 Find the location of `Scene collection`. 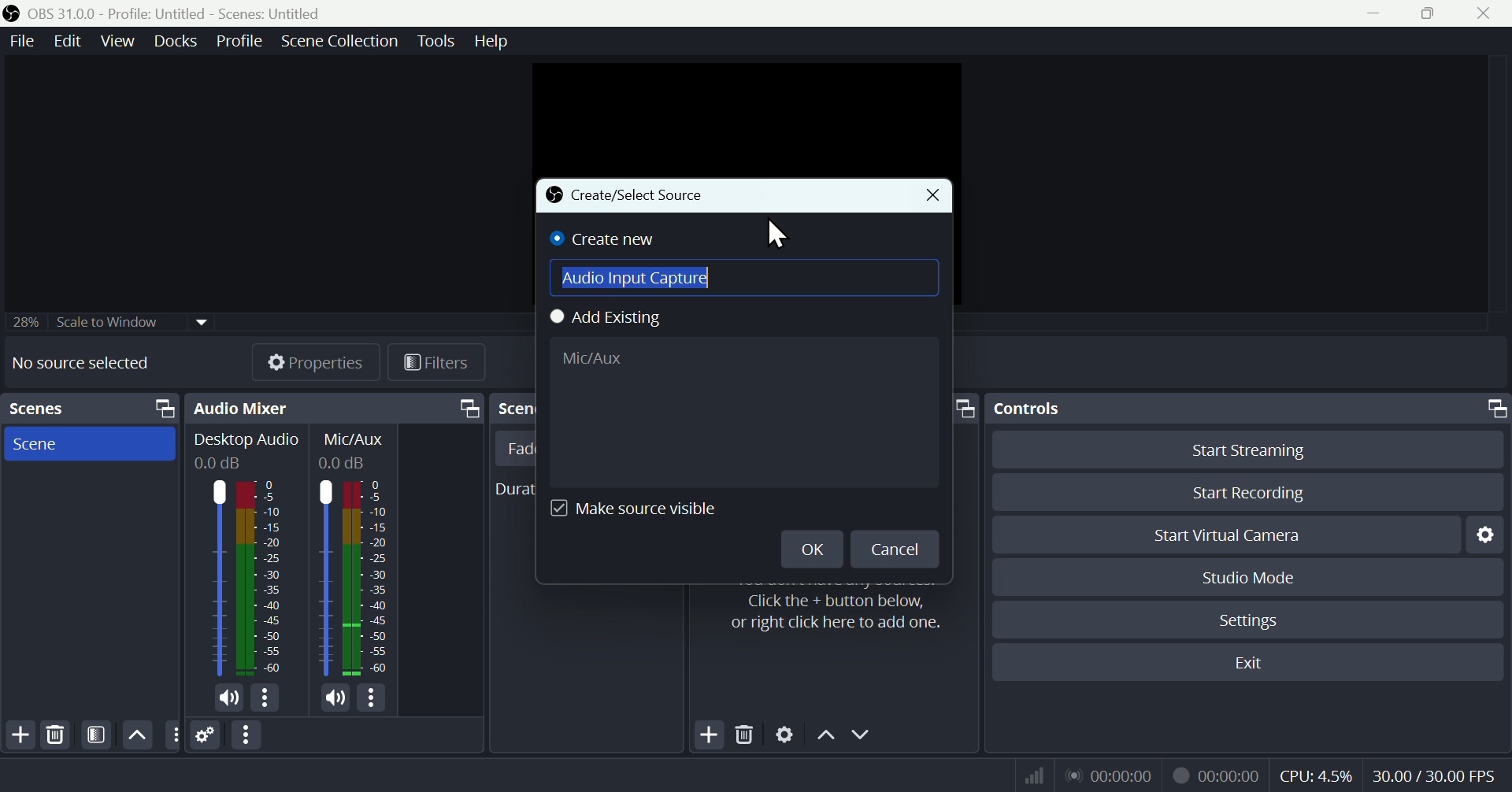

Scene collection is located at coordinates (343, 43).